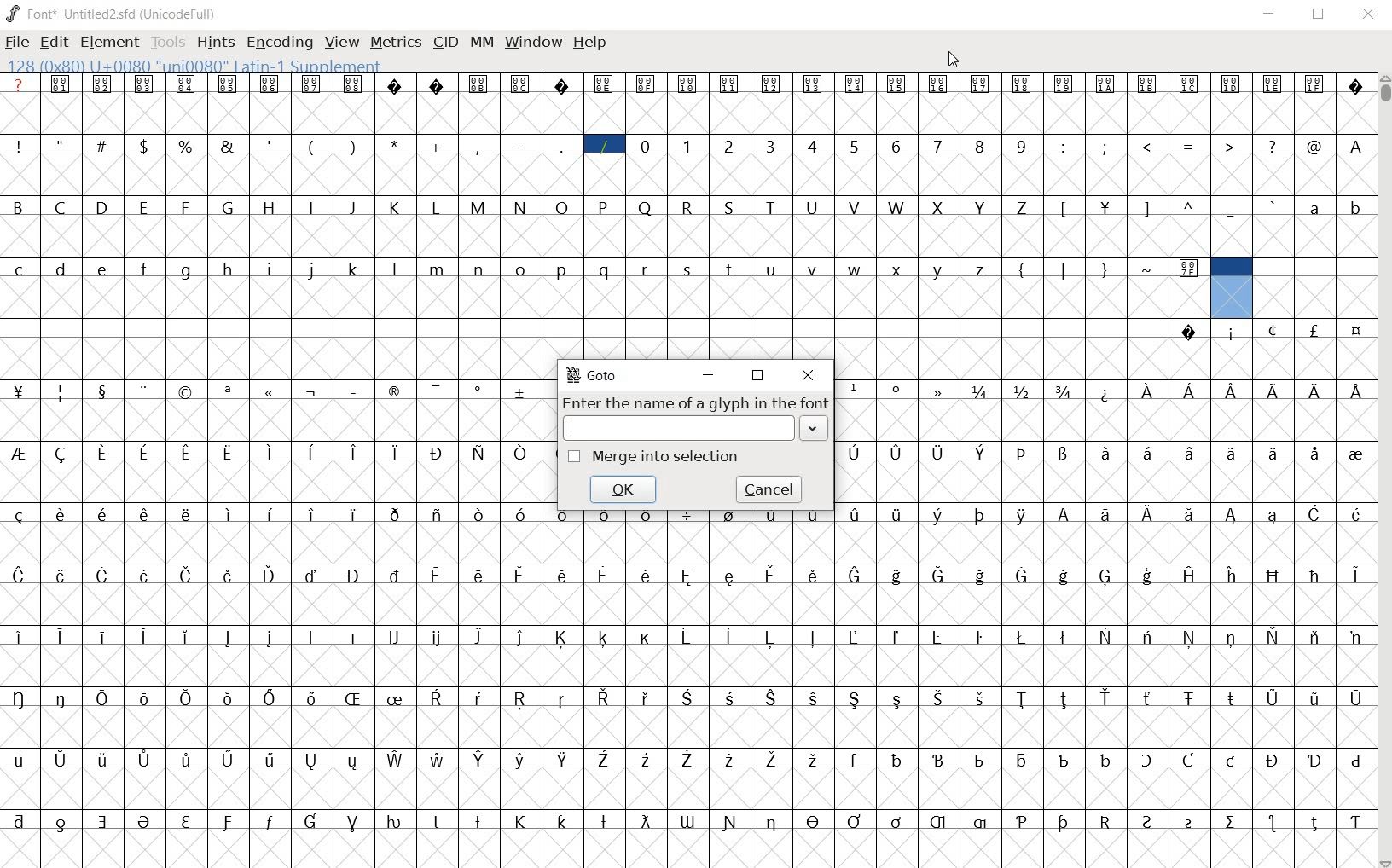 Image resolution: width=1392 pixels, height=868 pixels. What do you see at coordinates (481, 758) in the screenshot?
I see `Symbol` at bounding box center [481, 758].